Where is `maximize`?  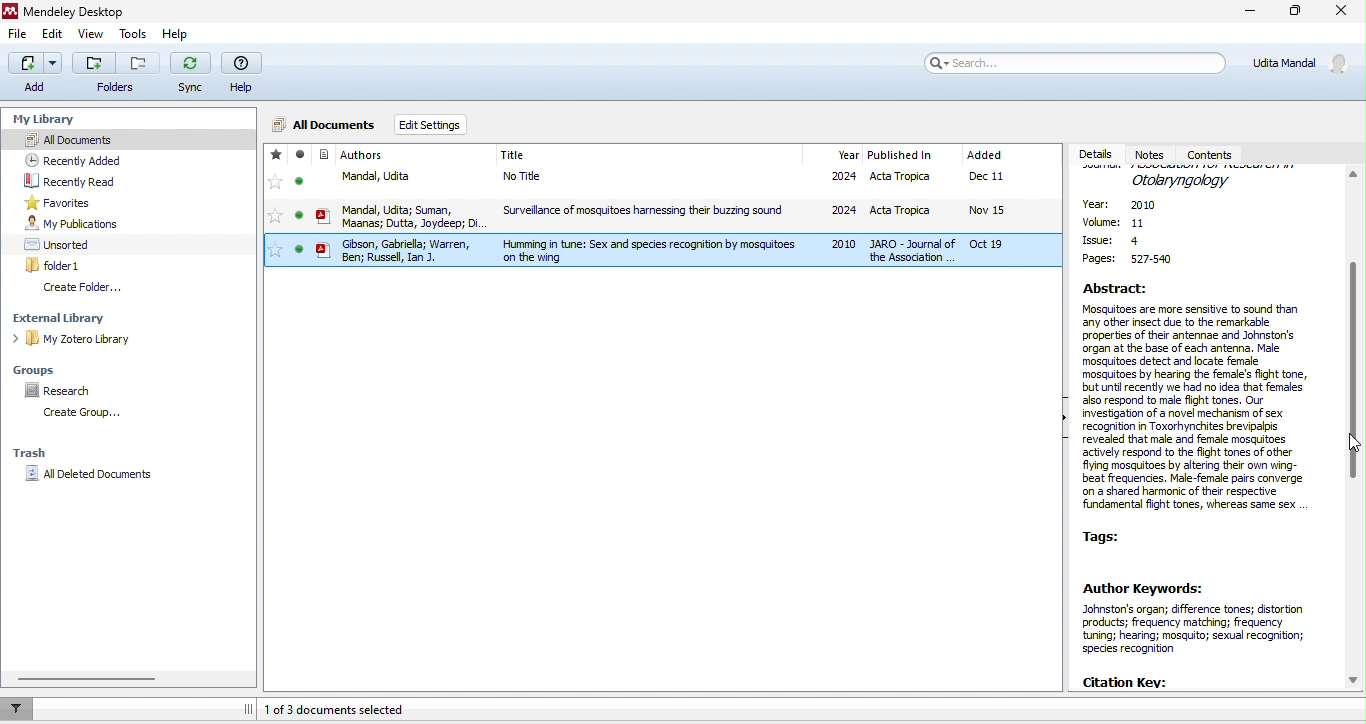 maximize is located at coordinates (1295, 14).